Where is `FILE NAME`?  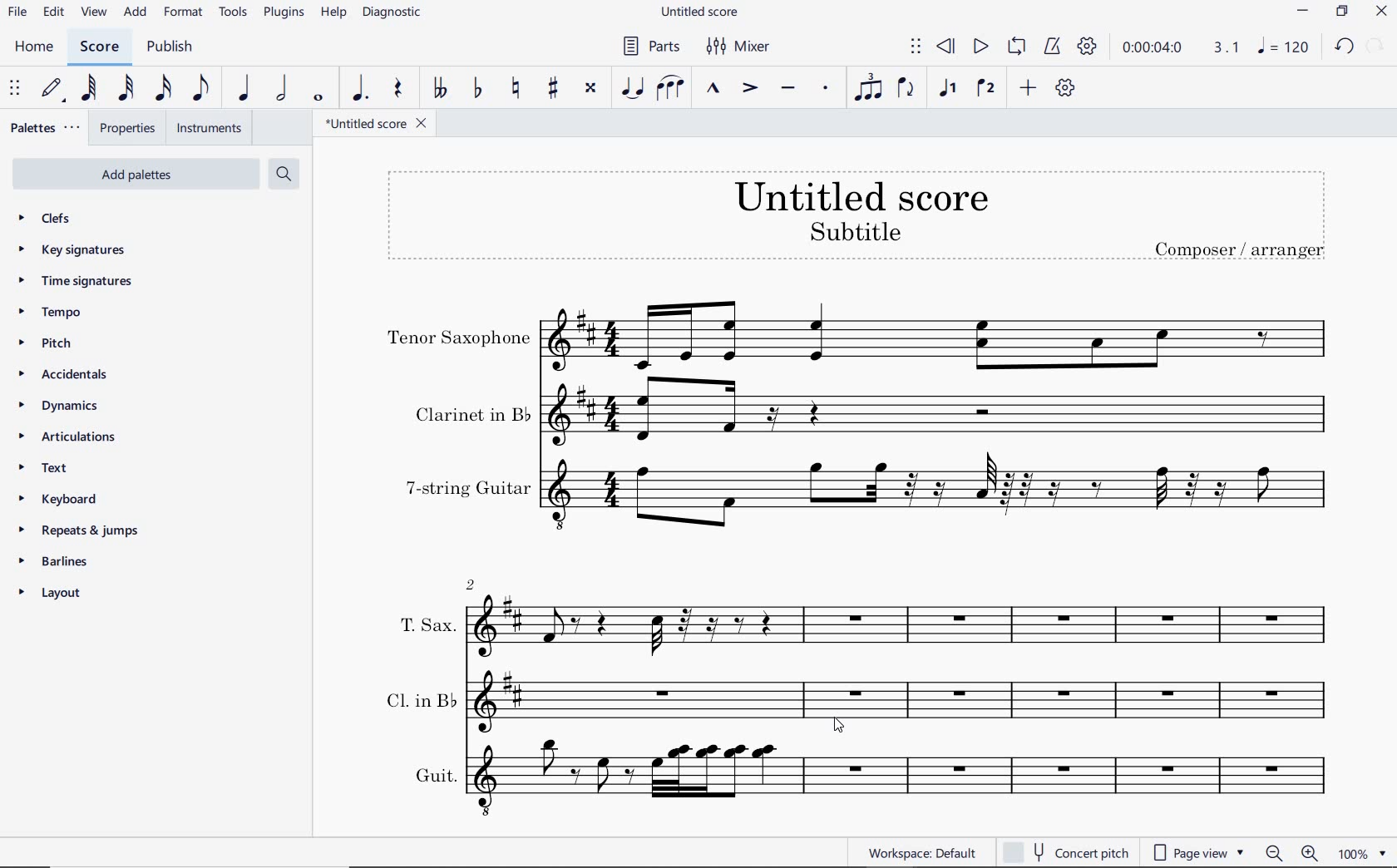
FILE NAME is located at coordinates (376, 126).